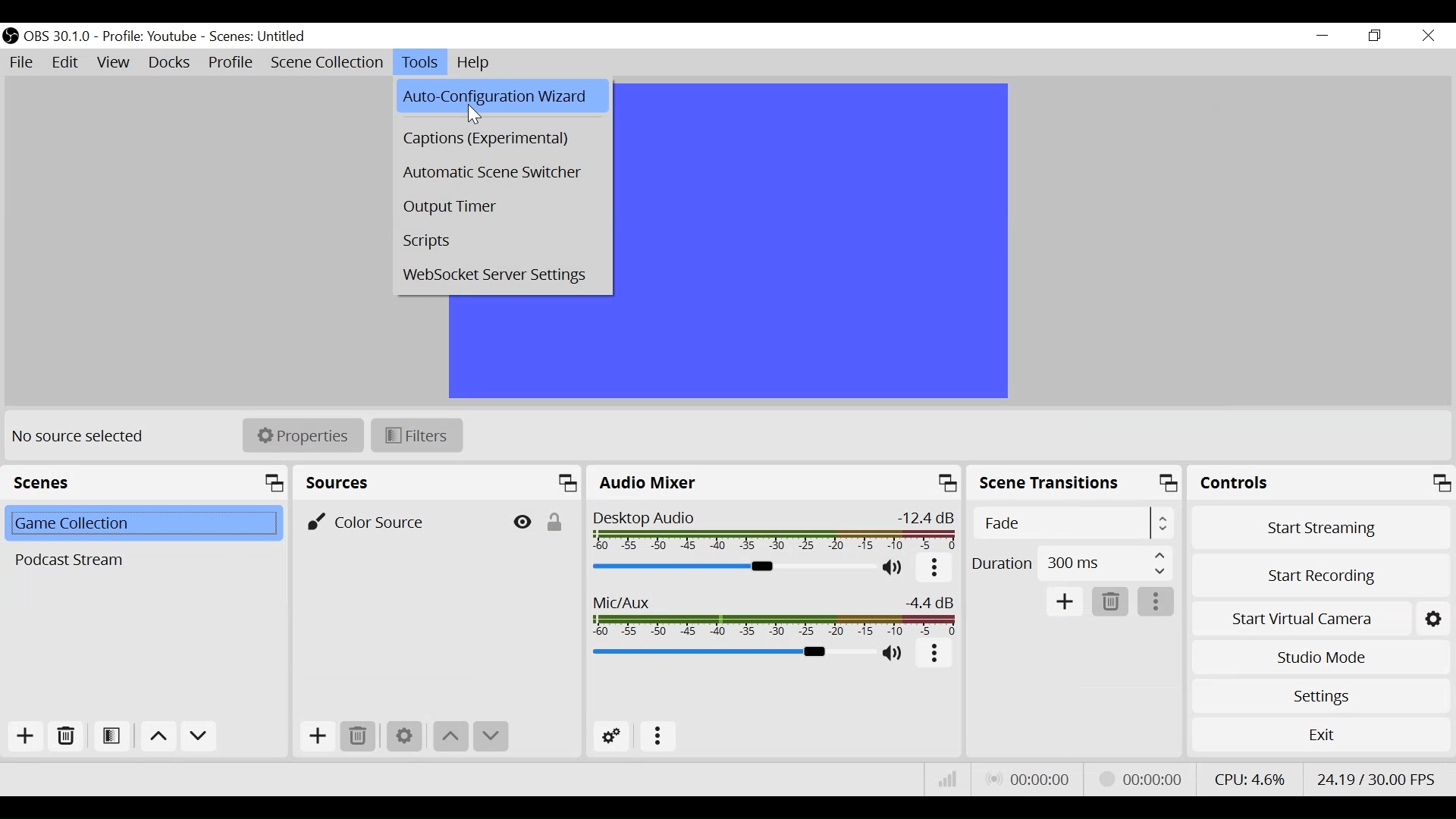  Describe the element at coordinates (1320, 735) in the screenshot. I see `Exit` at that location.